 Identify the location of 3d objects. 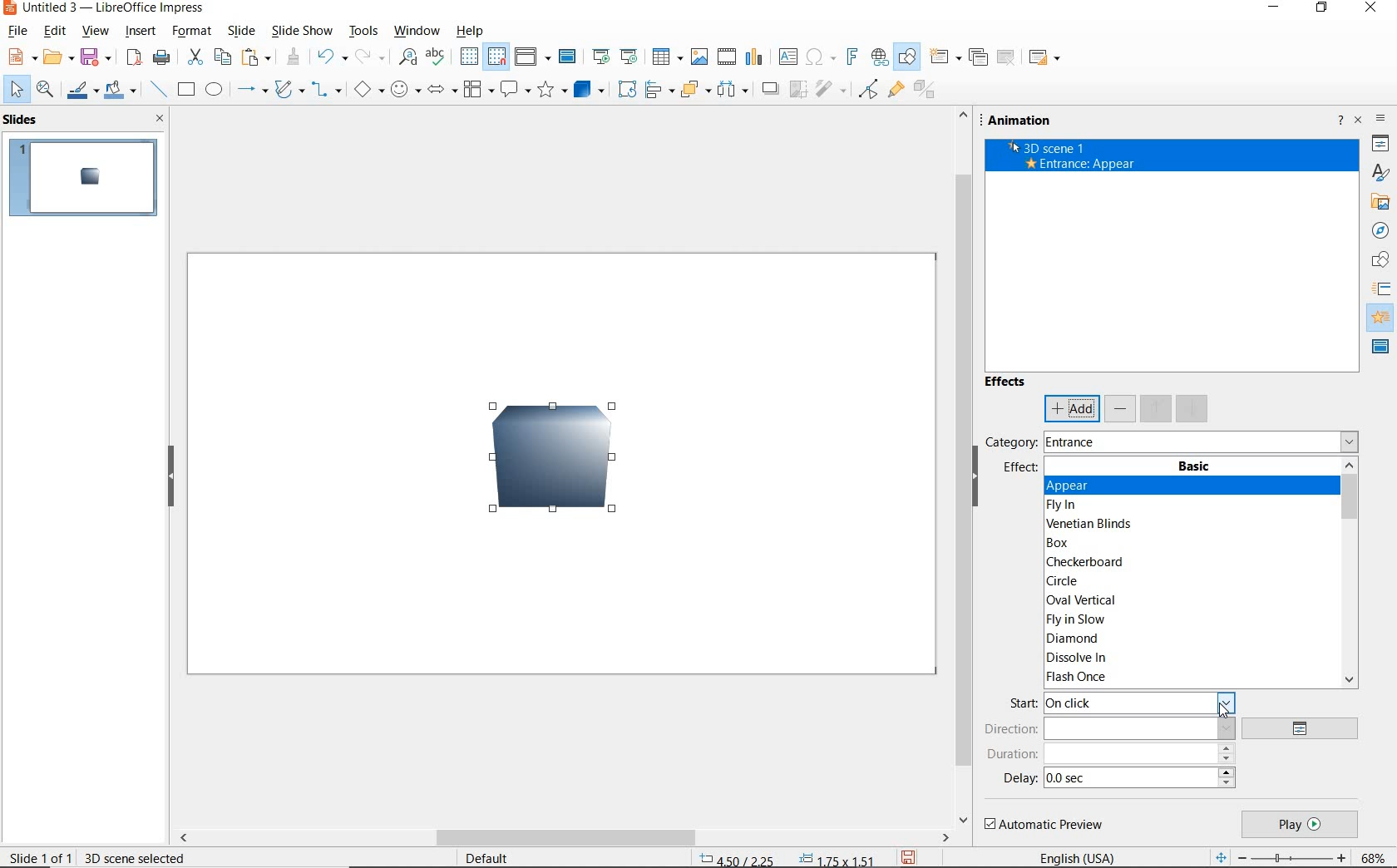
(589, 90).